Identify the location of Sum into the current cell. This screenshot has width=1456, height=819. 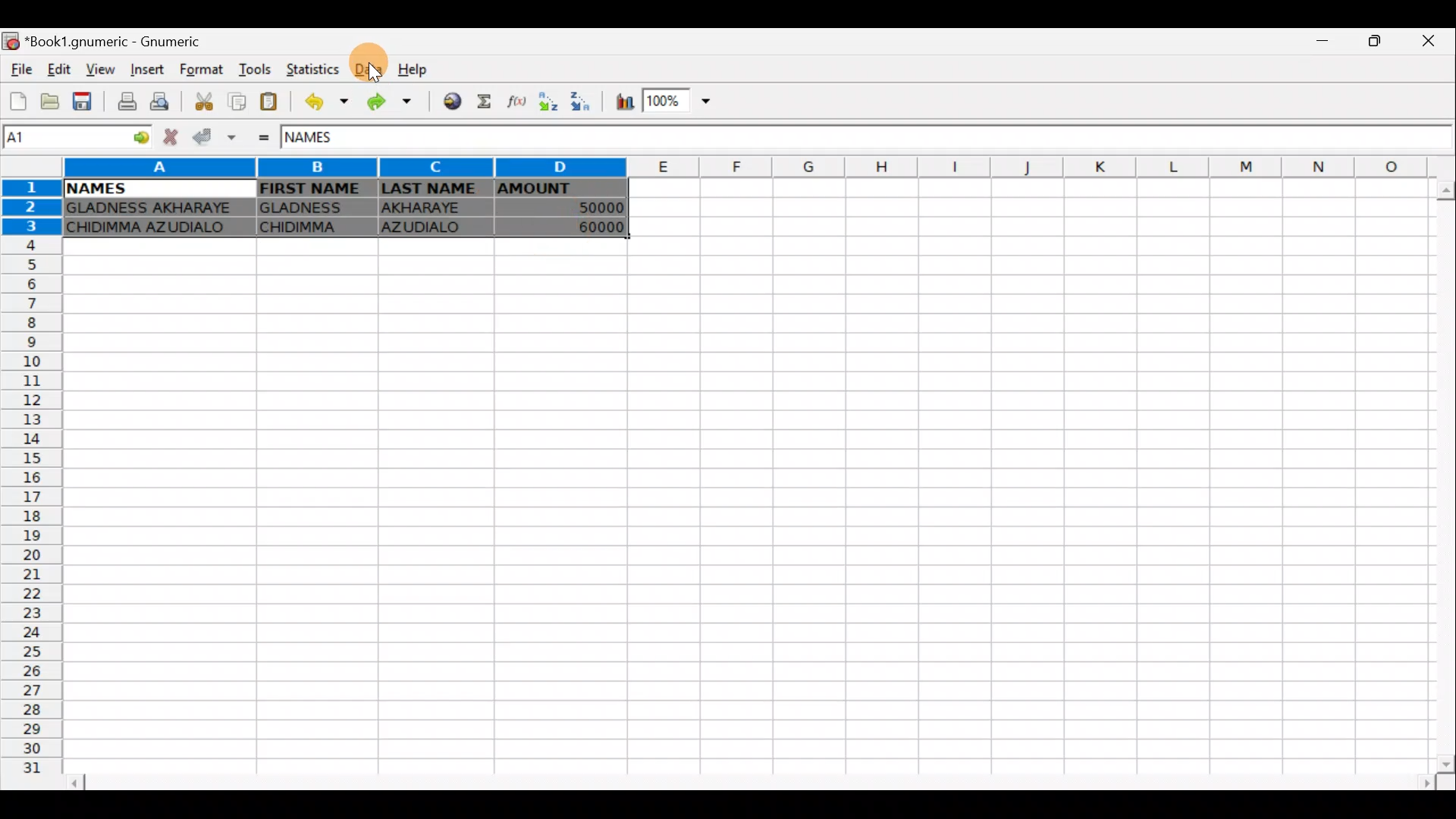
(486, 102).